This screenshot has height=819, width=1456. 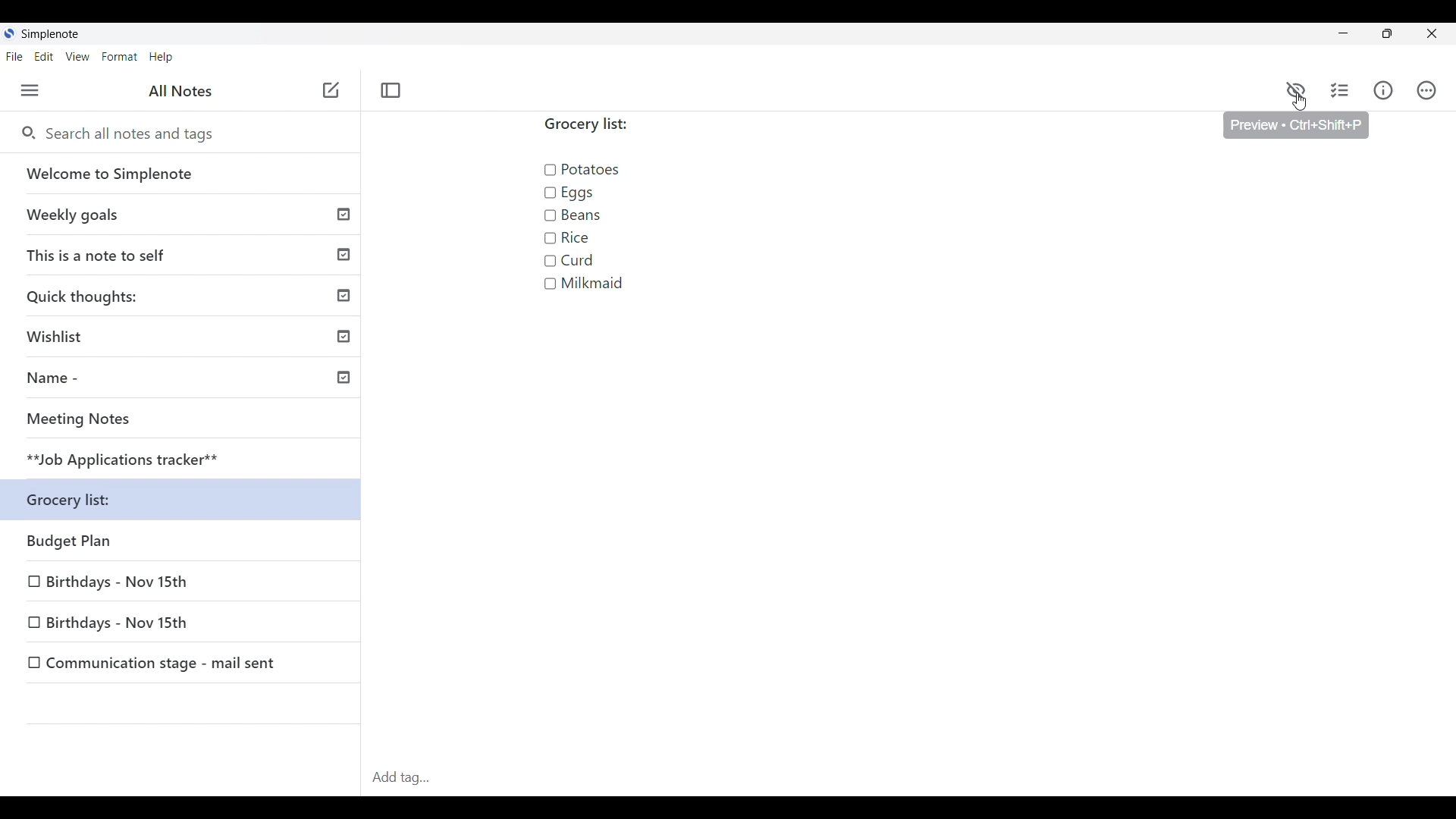 I want to click on Close, so click(x=1431, y=33).